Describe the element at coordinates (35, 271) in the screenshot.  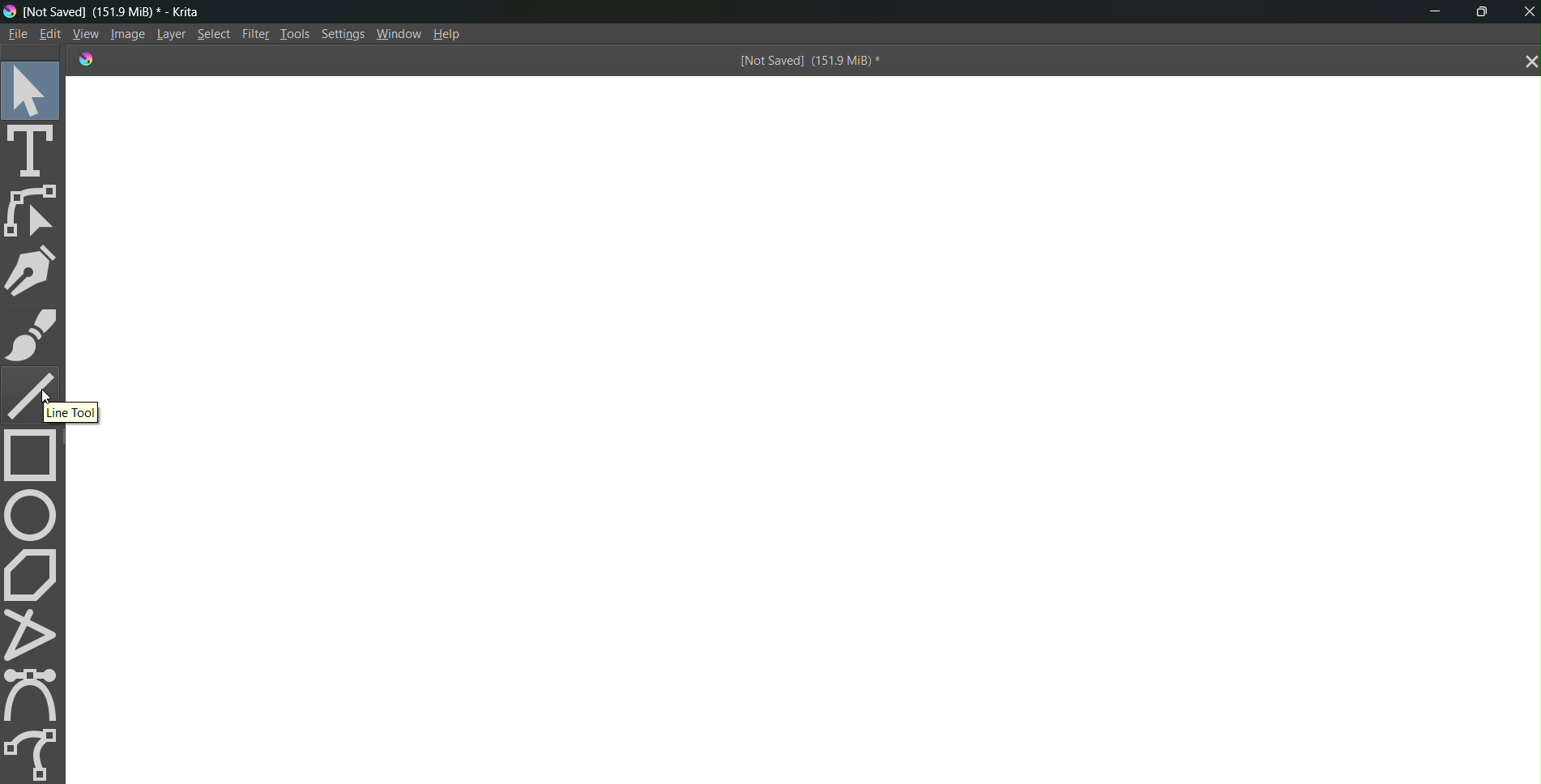
I see `pen` at that location.